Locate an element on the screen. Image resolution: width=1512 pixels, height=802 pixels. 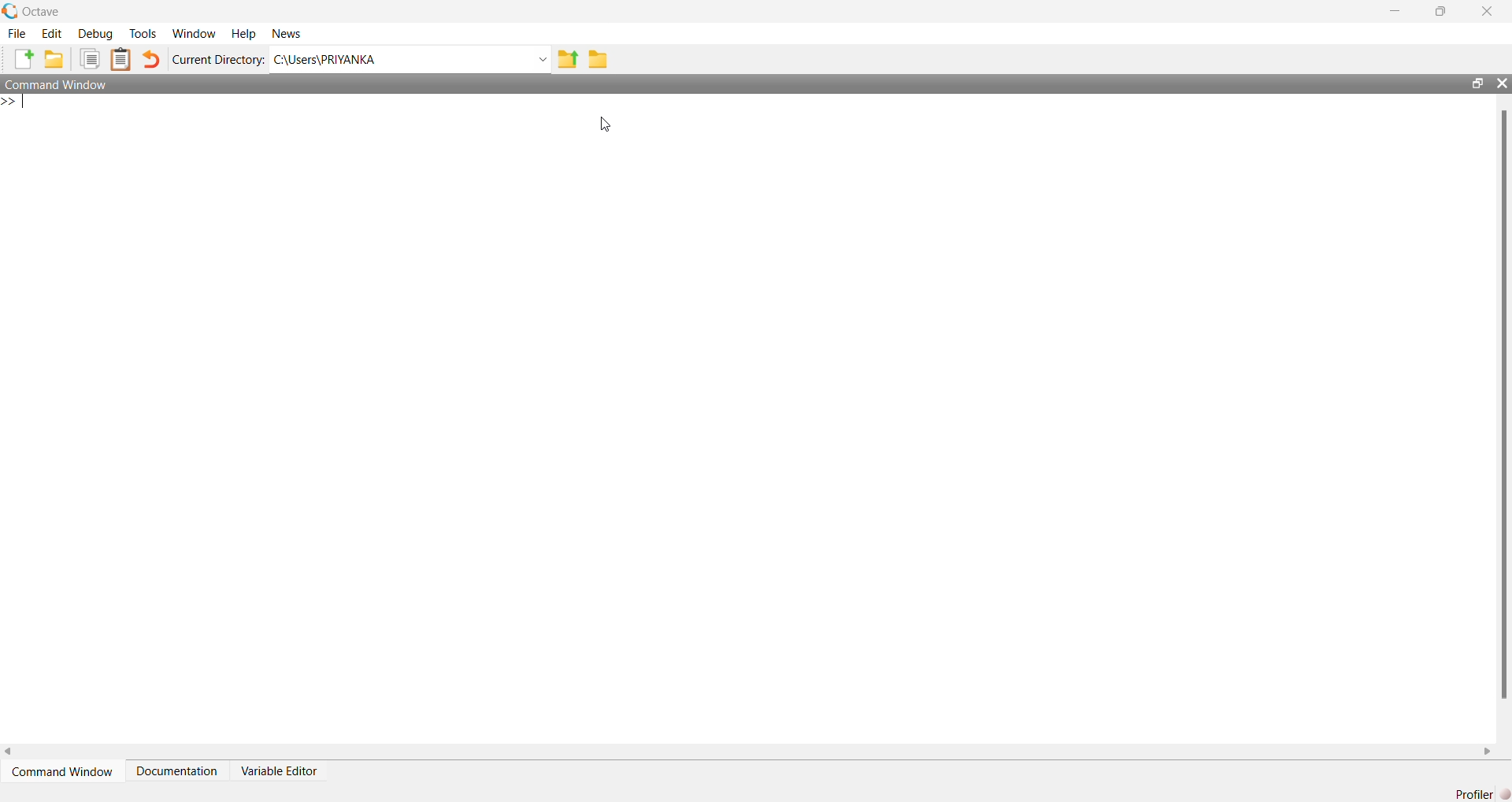
Variable Editor is located at coordinates (280, 770).